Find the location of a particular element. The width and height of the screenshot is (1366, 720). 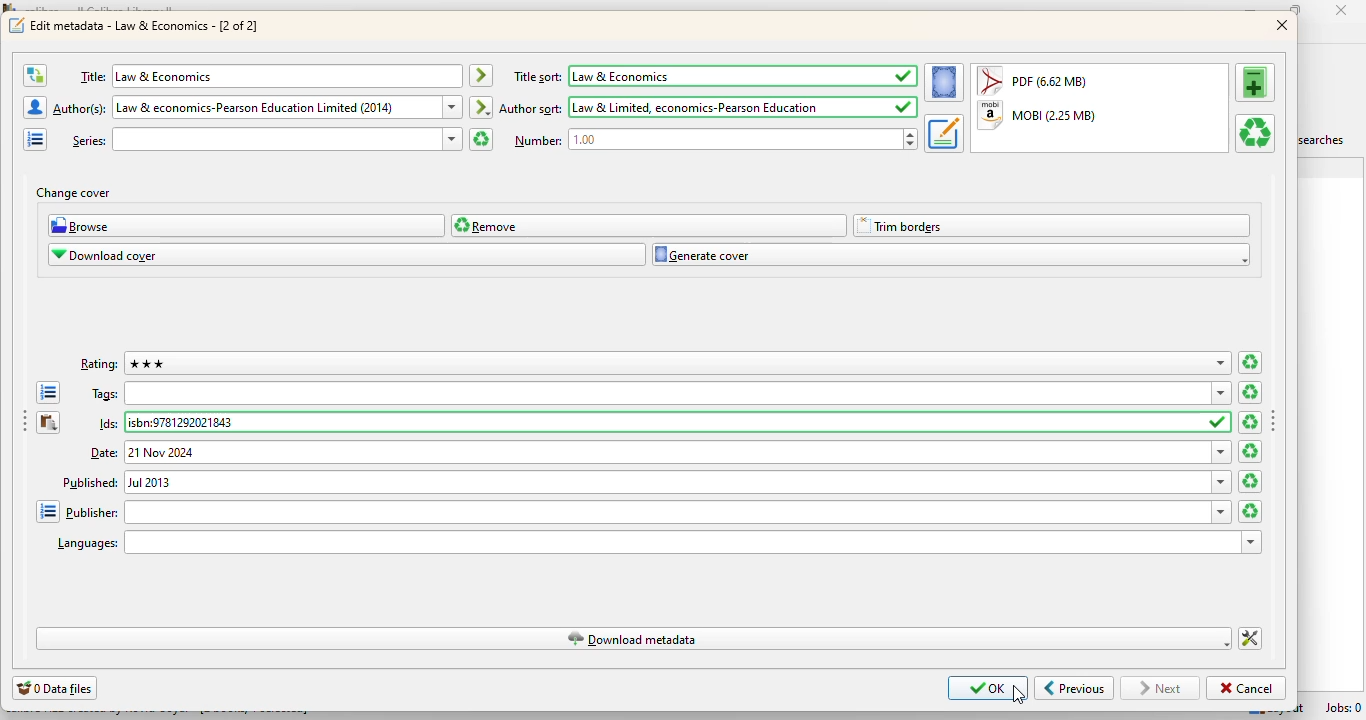

clear date is located at coordinates (1251, 452).